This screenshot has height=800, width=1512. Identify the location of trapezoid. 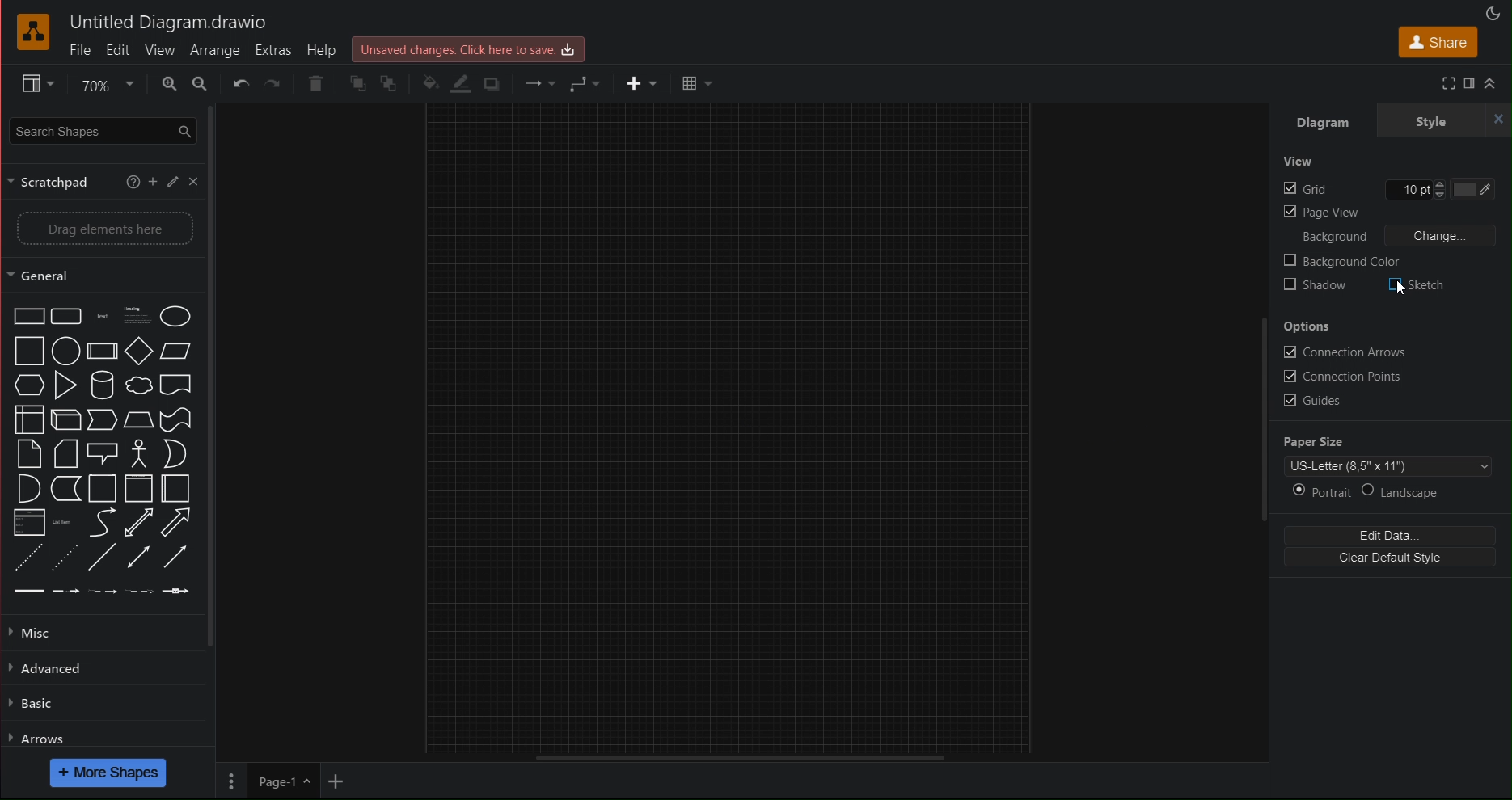
(138, 420).